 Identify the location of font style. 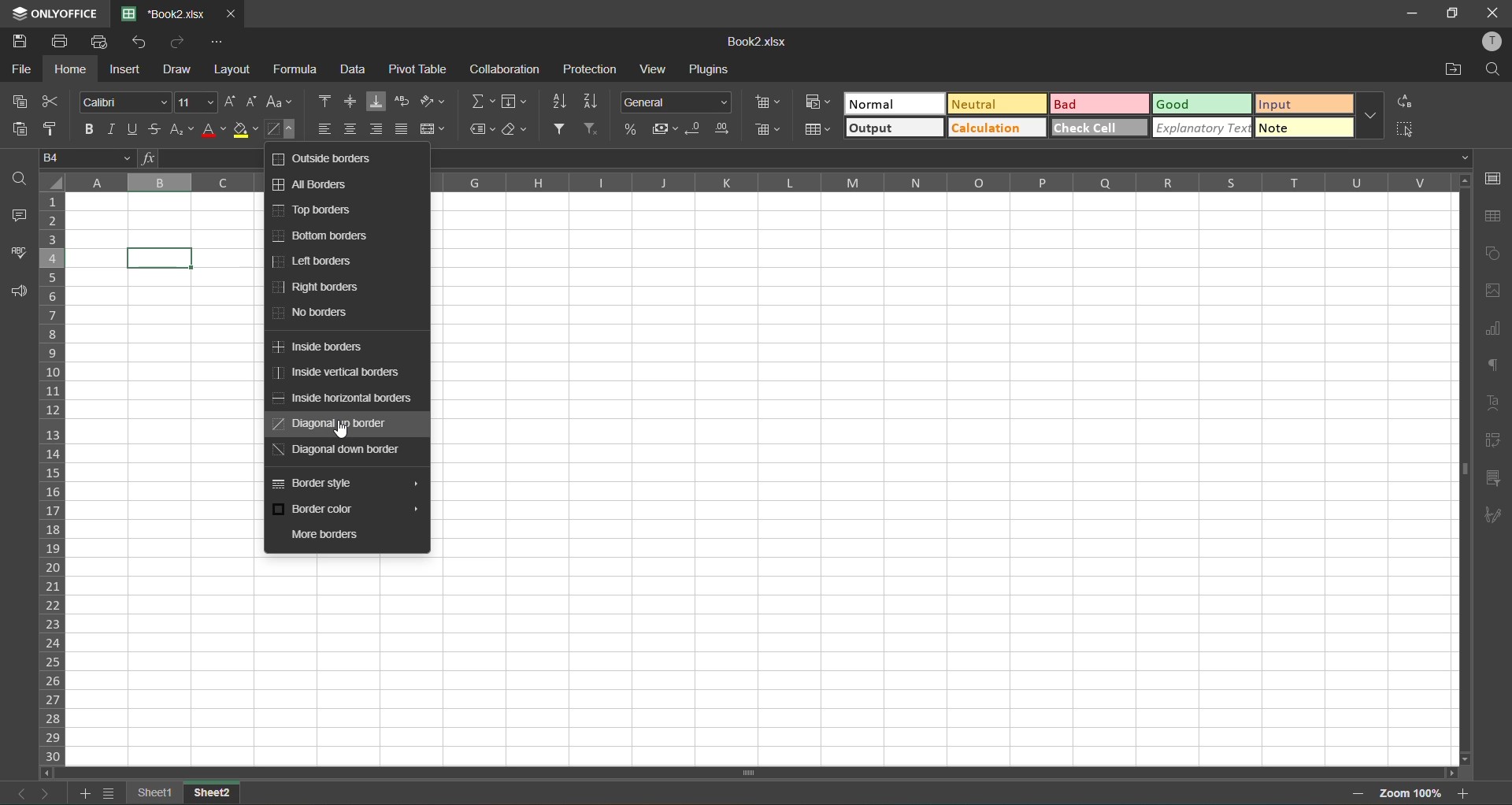
(126, 102).